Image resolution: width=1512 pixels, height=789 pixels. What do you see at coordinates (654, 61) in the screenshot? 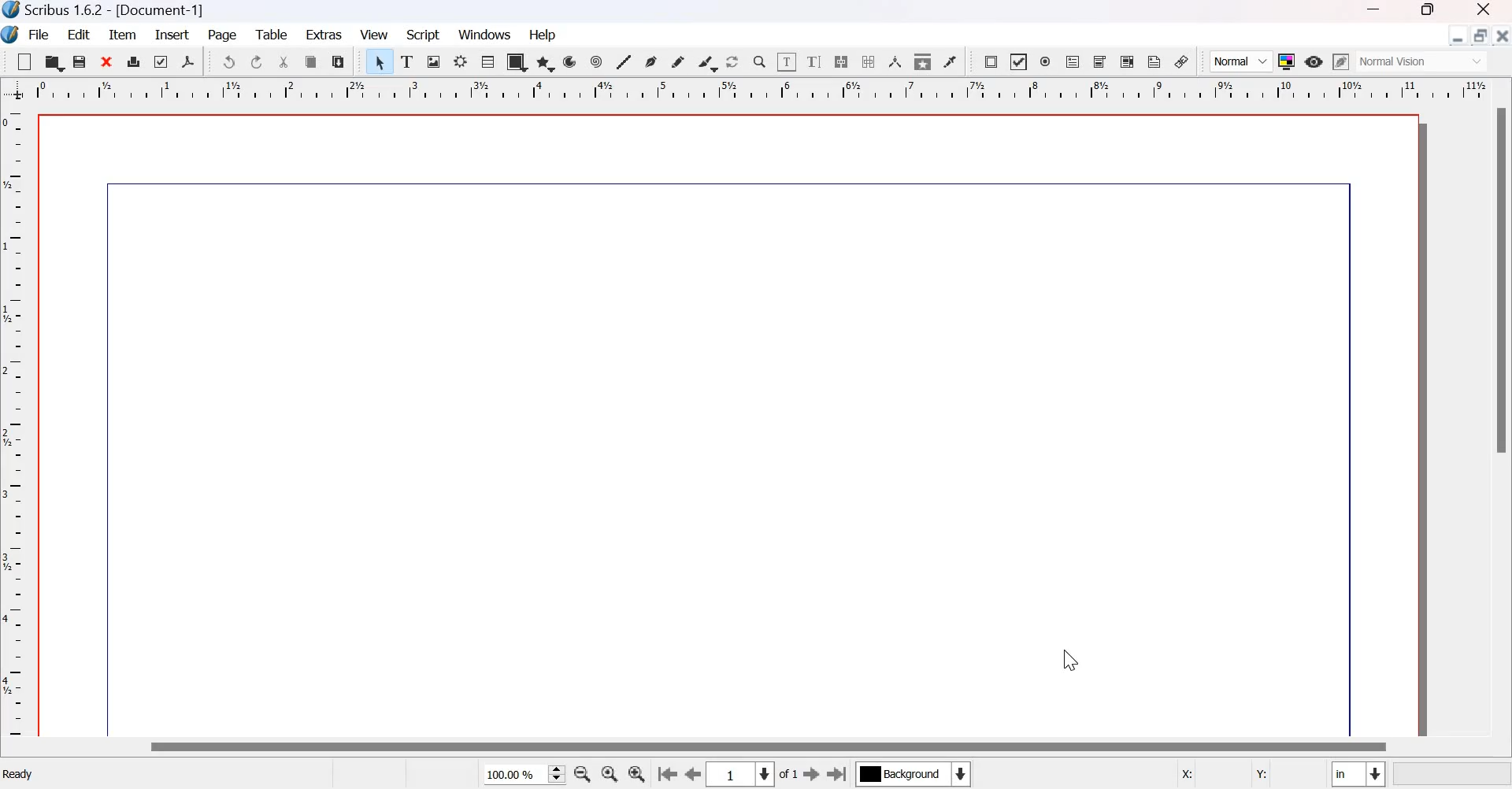
I see `bezier curve` at bounding box center [654, 61].